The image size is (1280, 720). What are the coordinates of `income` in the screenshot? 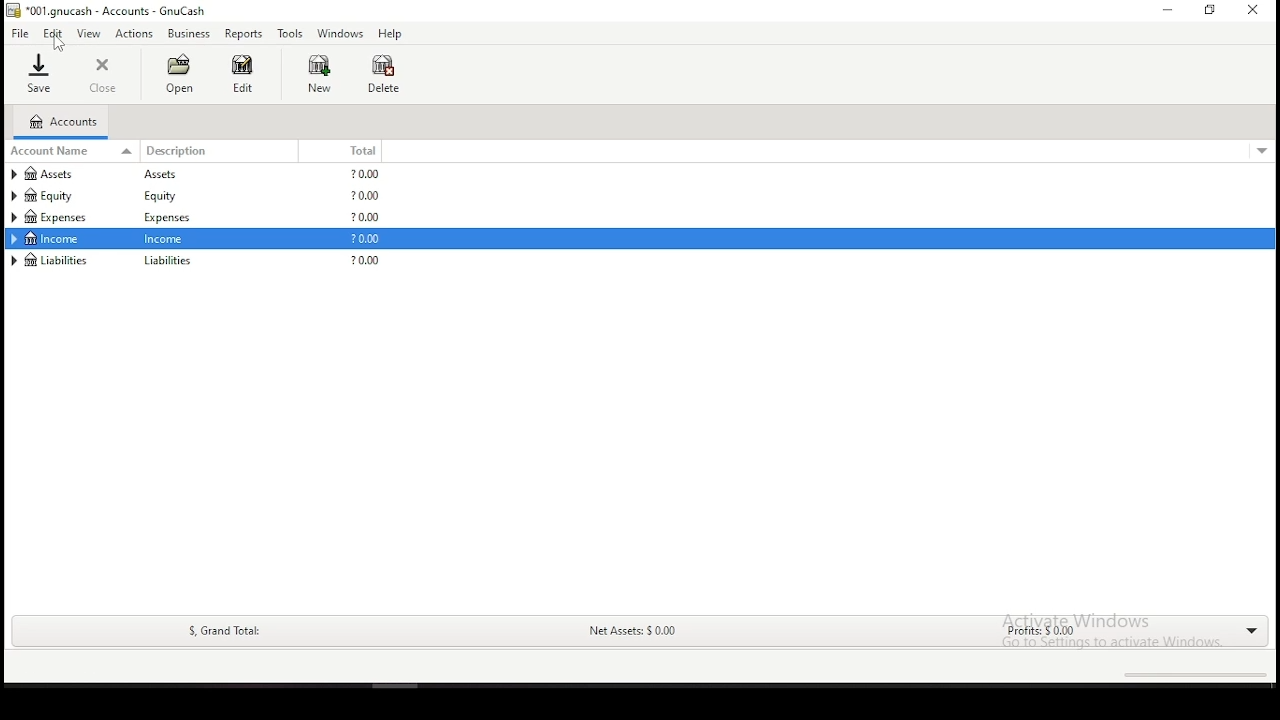 It's located at (168, 239).